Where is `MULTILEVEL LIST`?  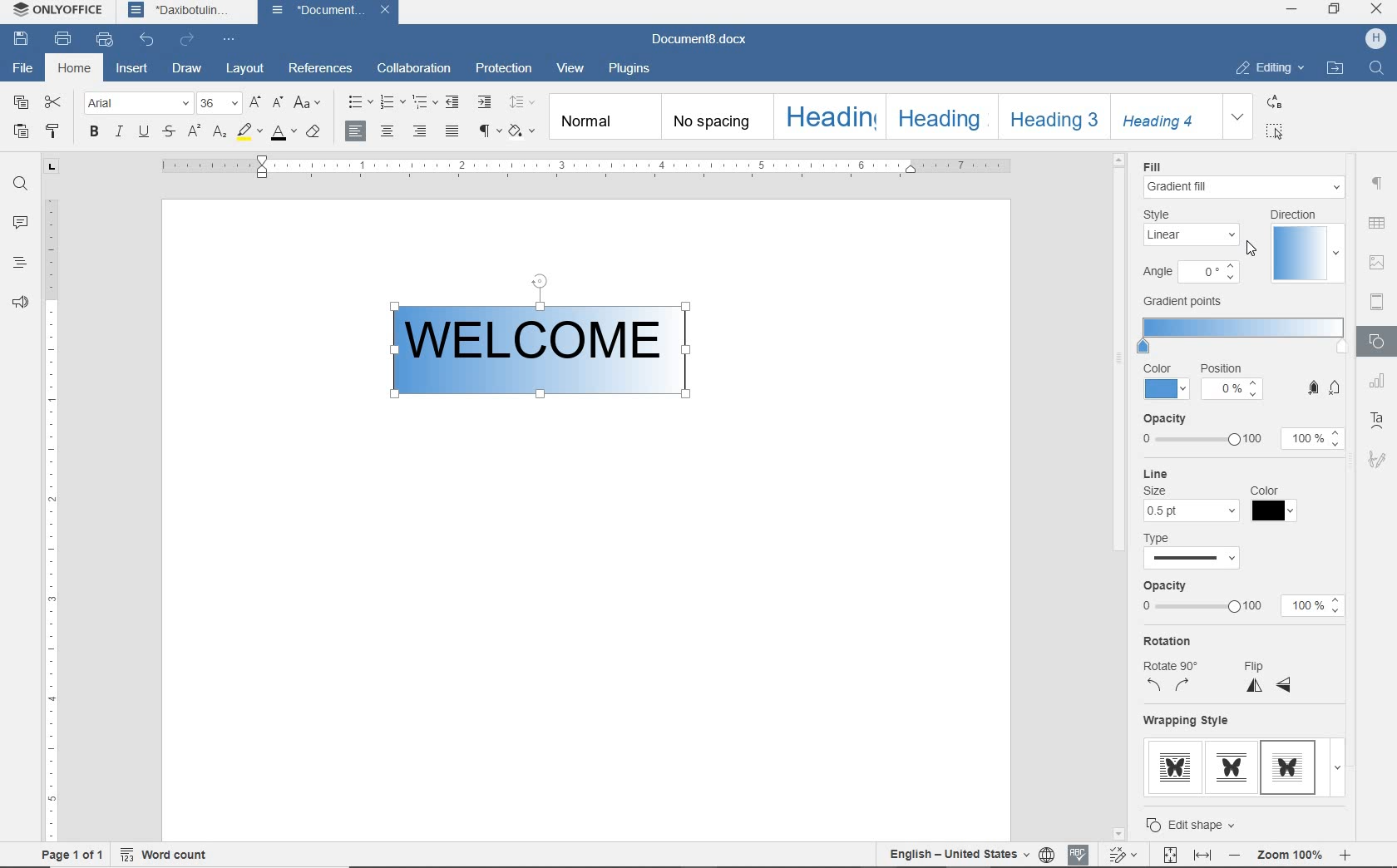
MULTILEVEL LIST is located at coordinates (423, 103).